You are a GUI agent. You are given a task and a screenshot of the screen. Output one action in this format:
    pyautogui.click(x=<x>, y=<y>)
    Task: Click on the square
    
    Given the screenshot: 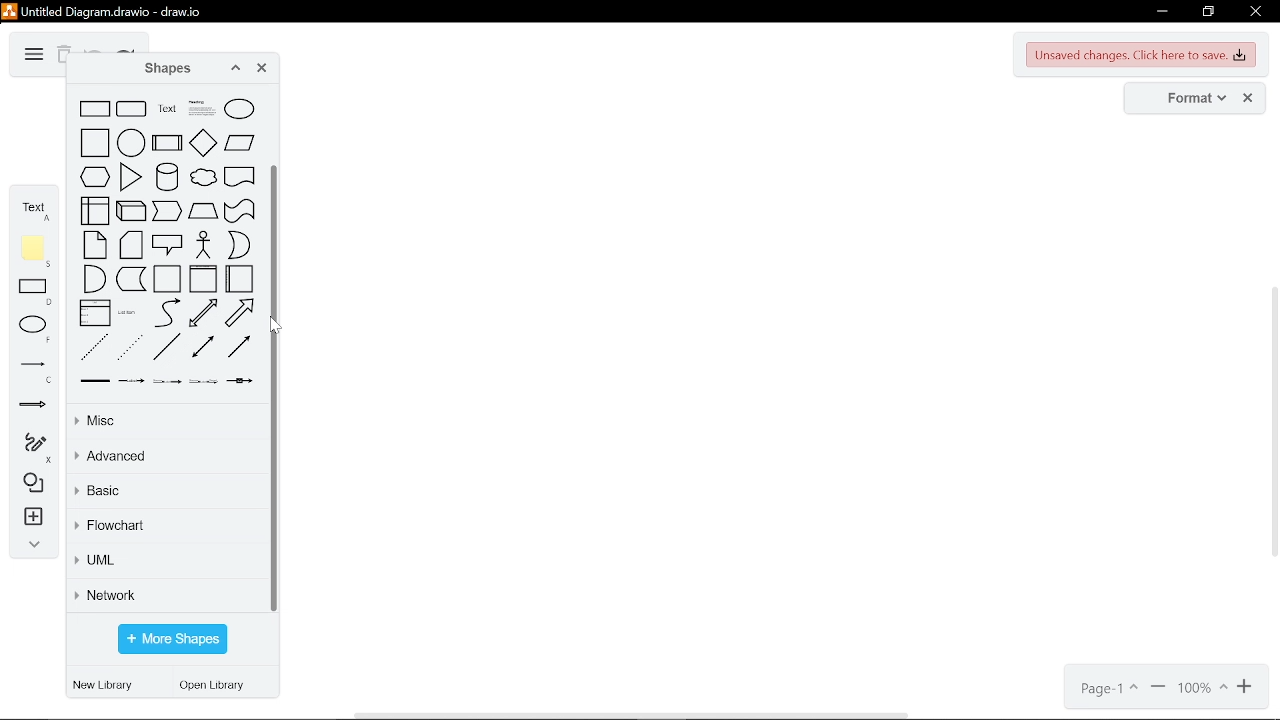 What is the action you would take?
    pyautogui.click(x=95, y=142)
    